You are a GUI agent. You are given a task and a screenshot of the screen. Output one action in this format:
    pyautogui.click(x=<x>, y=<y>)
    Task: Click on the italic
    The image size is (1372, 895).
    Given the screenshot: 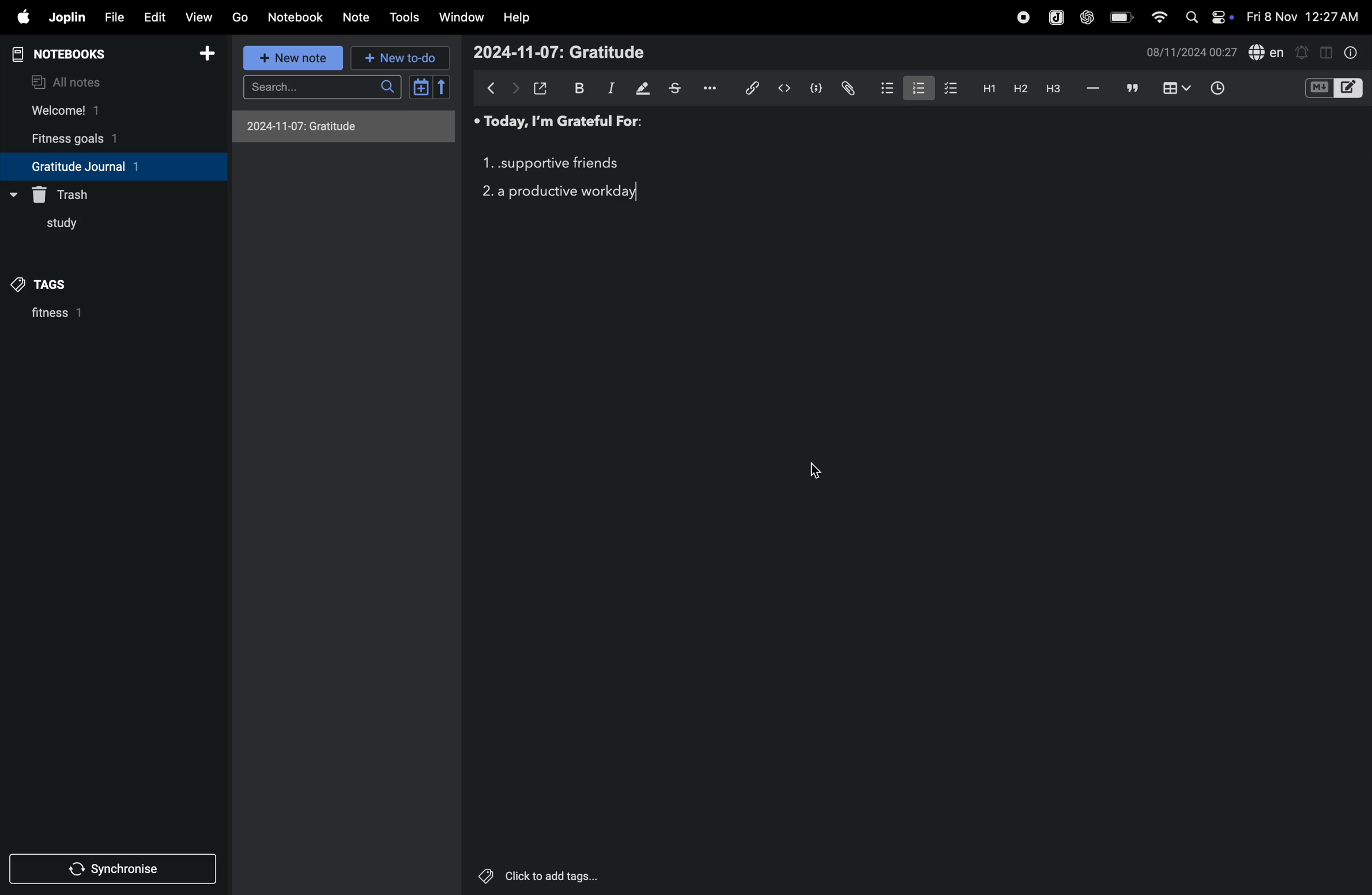 What is the action you would take?
    pyautogui.click(x=610, y=89)
    